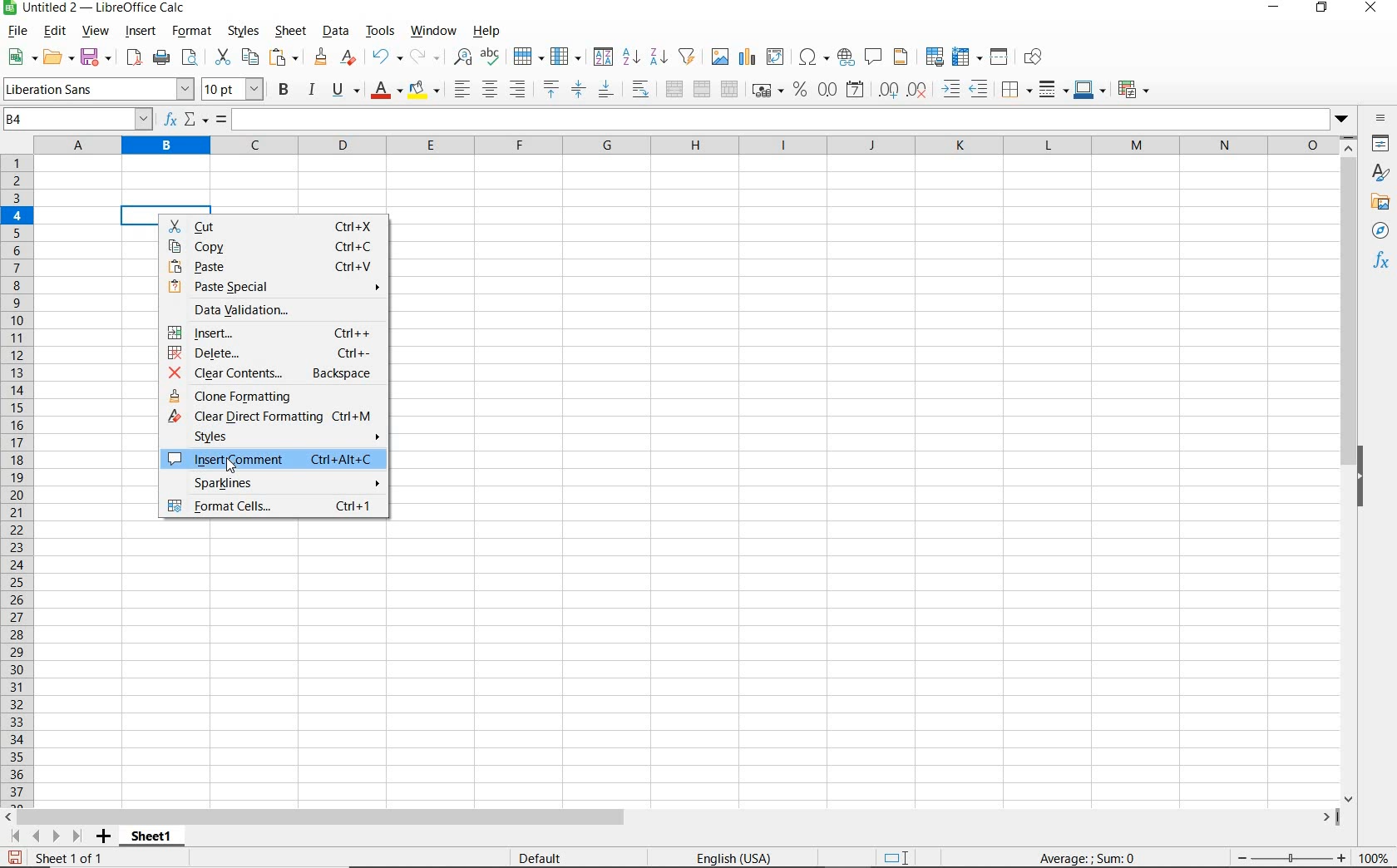  I want to click on insert or edit pivot table, so click(777, 57).